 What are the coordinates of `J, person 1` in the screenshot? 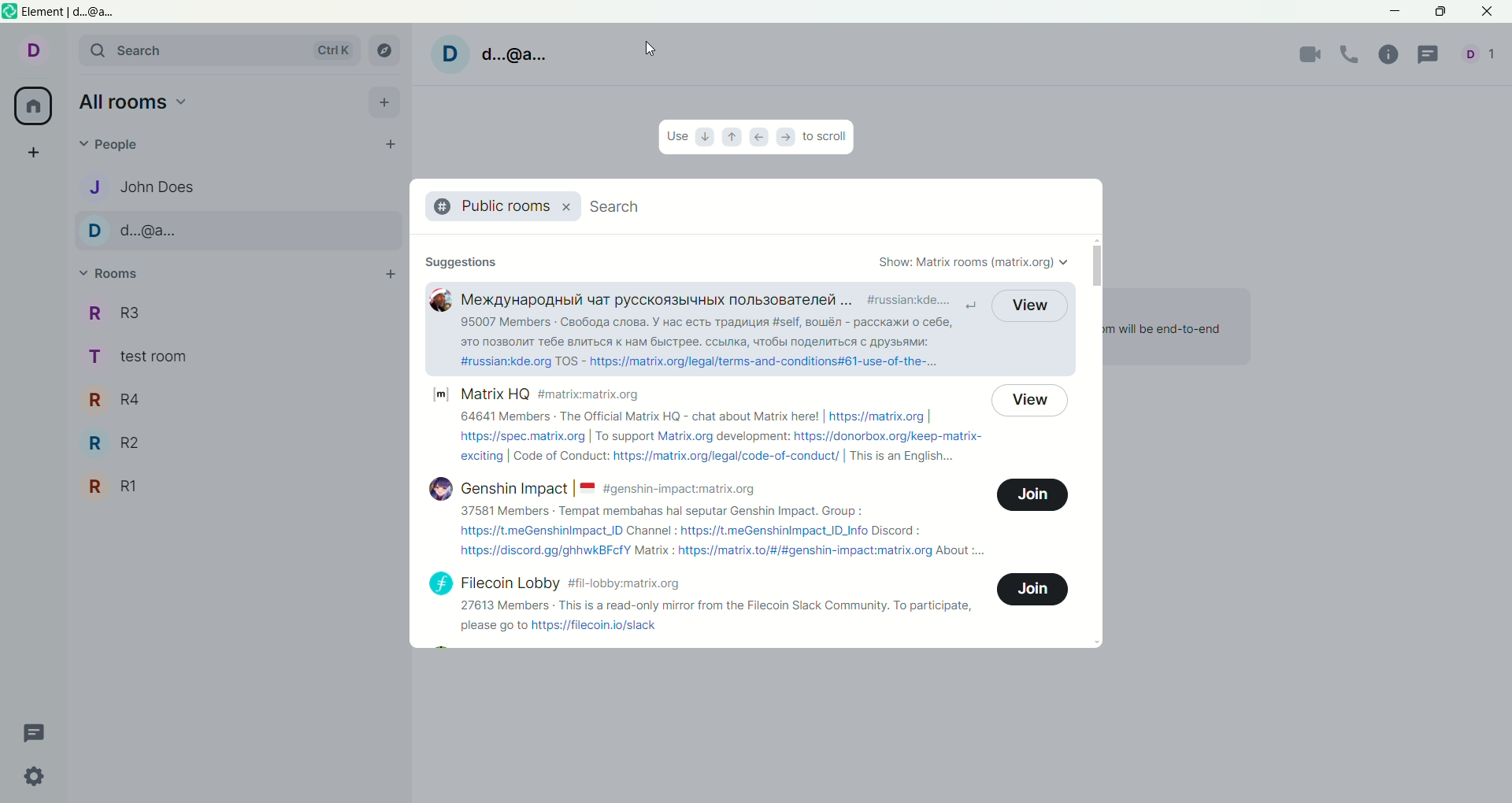 It's located at (235, 187).